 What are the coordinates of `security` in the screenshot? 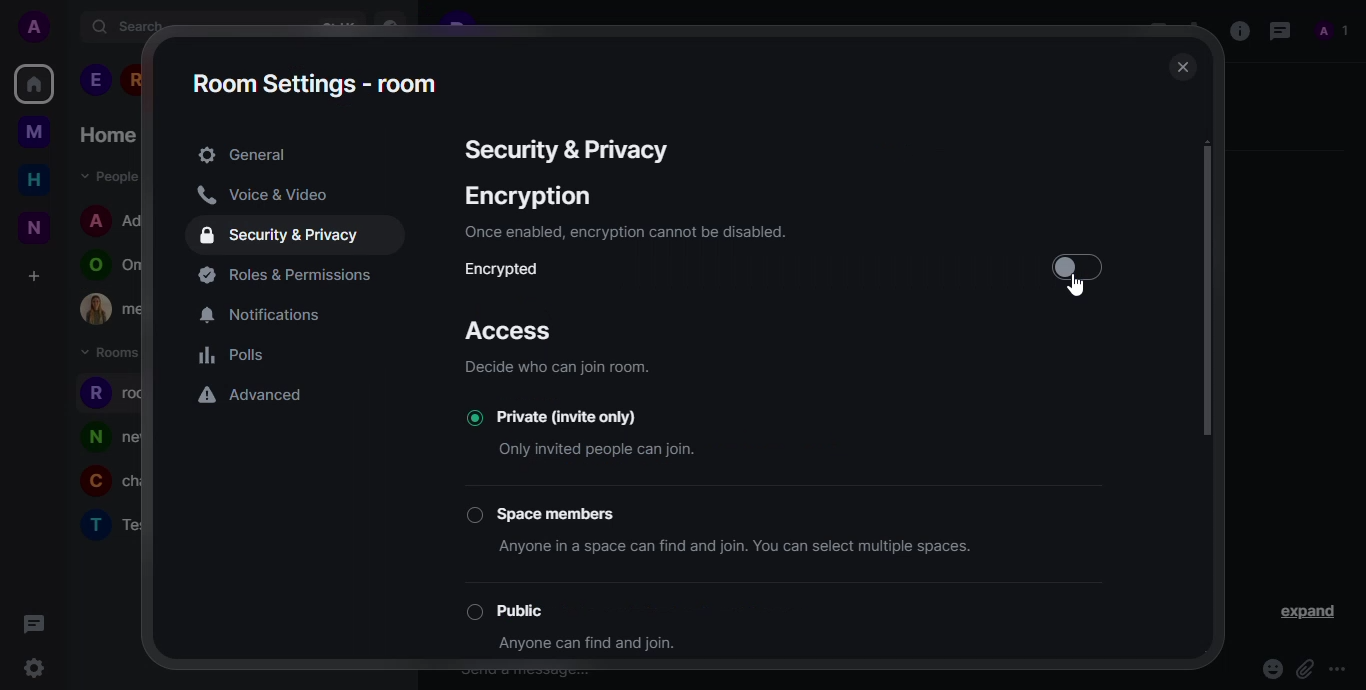 It's located at (283, 236).